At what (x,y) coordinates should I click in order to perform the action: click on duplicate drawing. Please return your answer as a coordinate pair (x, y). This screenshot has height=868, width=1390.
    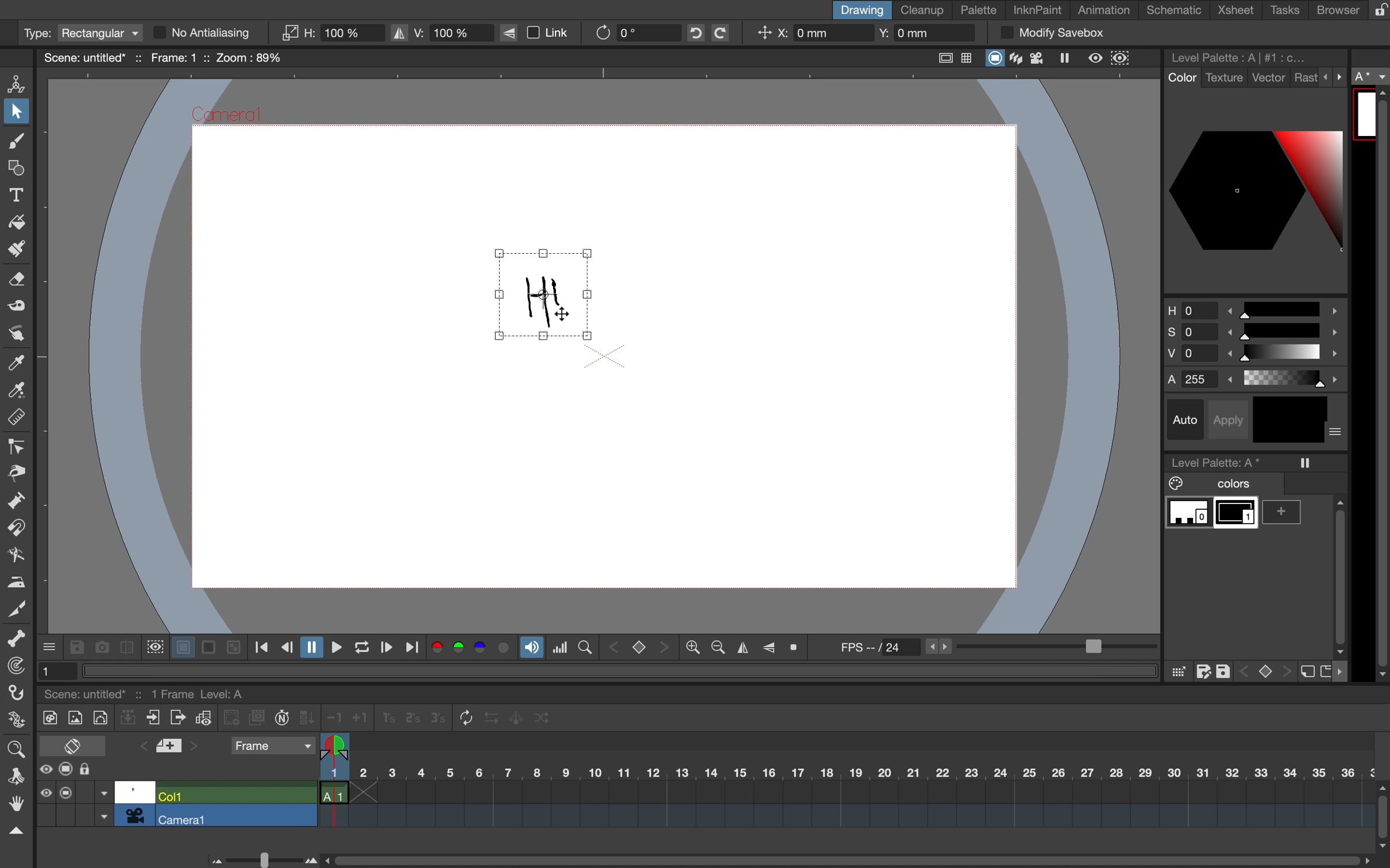
    Looking at the image, I should click on (257, 718).